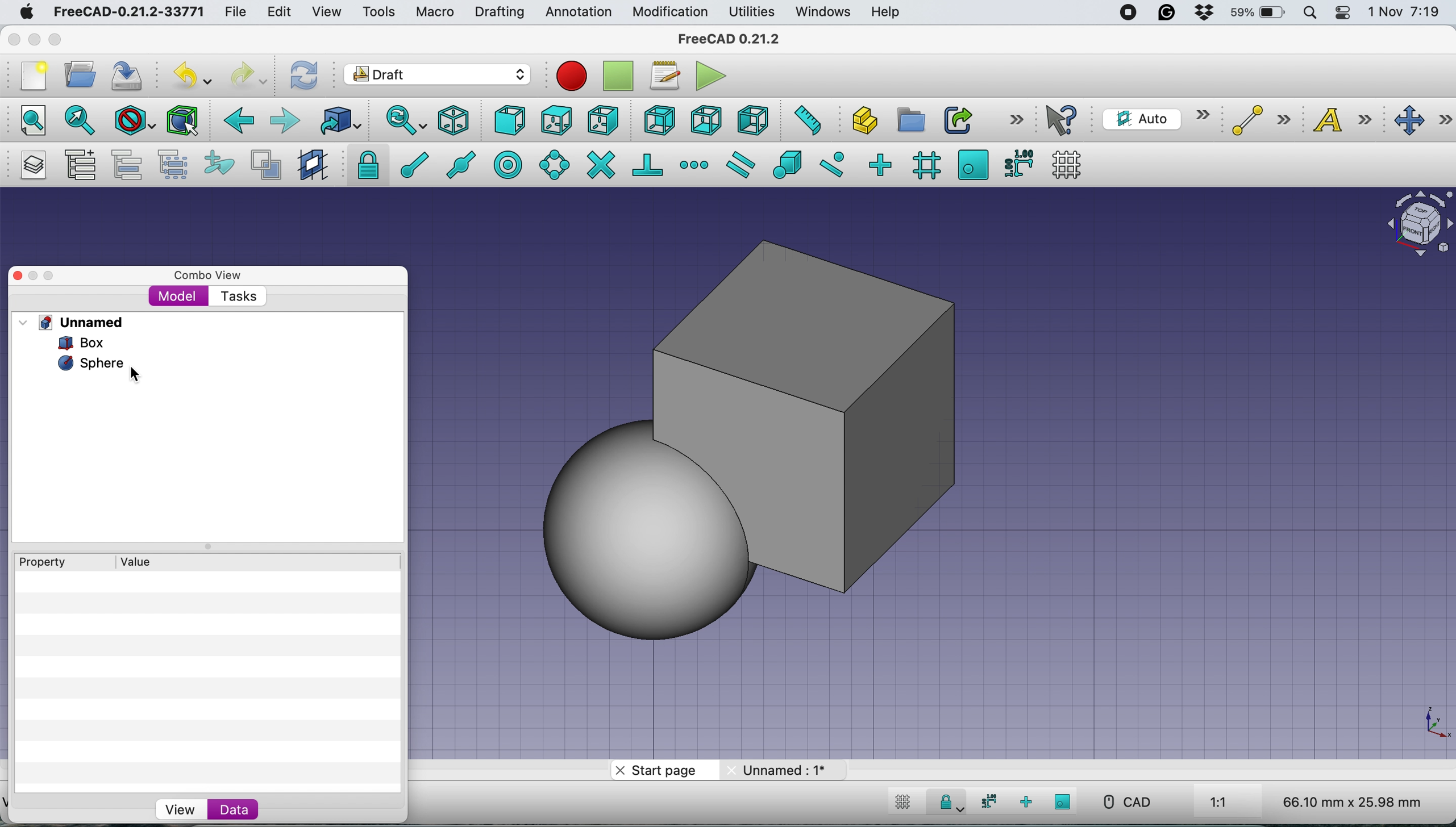 The width and height of the screenshot is (1456, 827). I want to click on drafting, so click(499, 13).